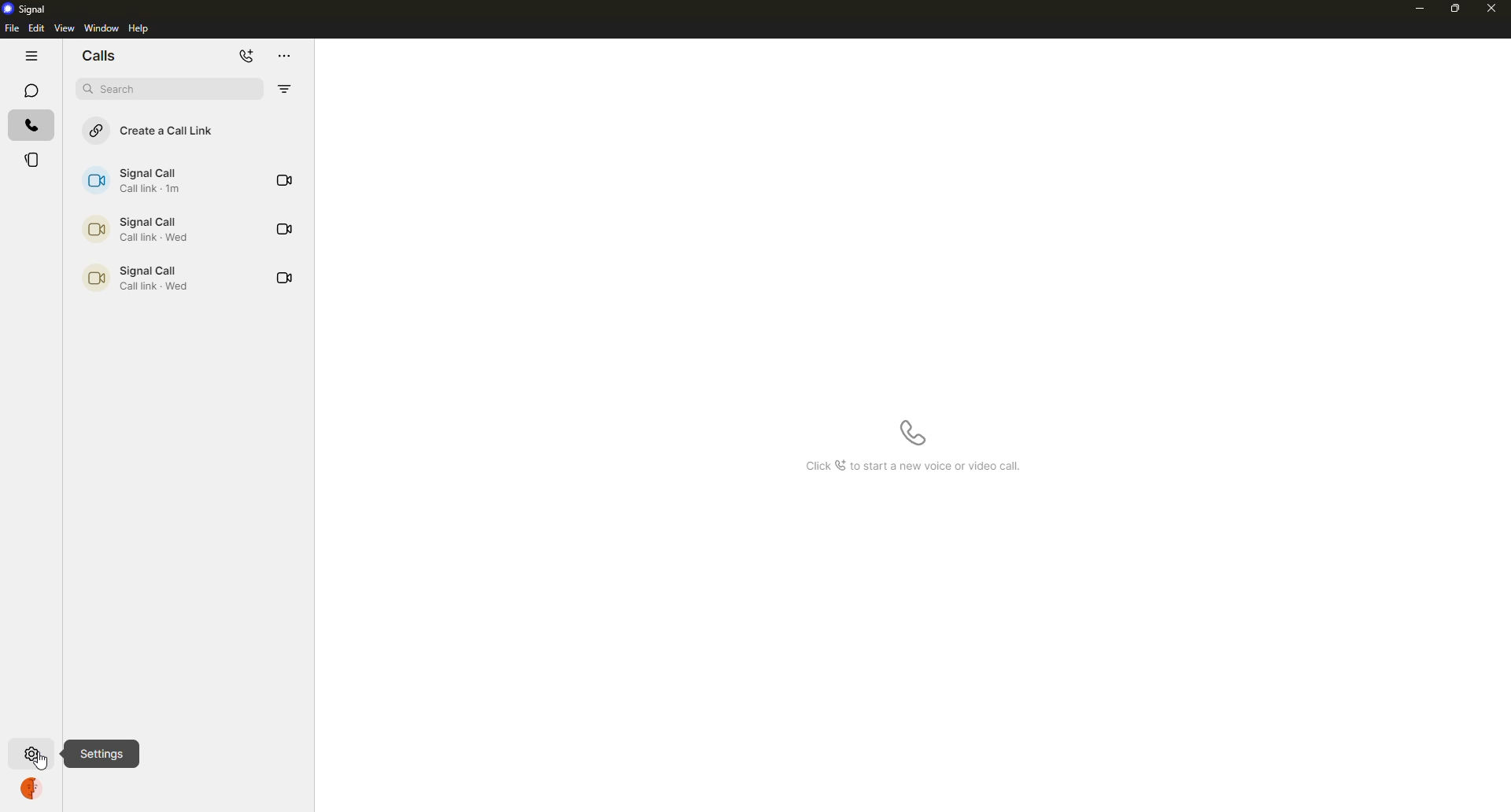 Image resolution: width=1511 pixels, height=812 pixels. I want to click on create a call link, so click(151, 131).